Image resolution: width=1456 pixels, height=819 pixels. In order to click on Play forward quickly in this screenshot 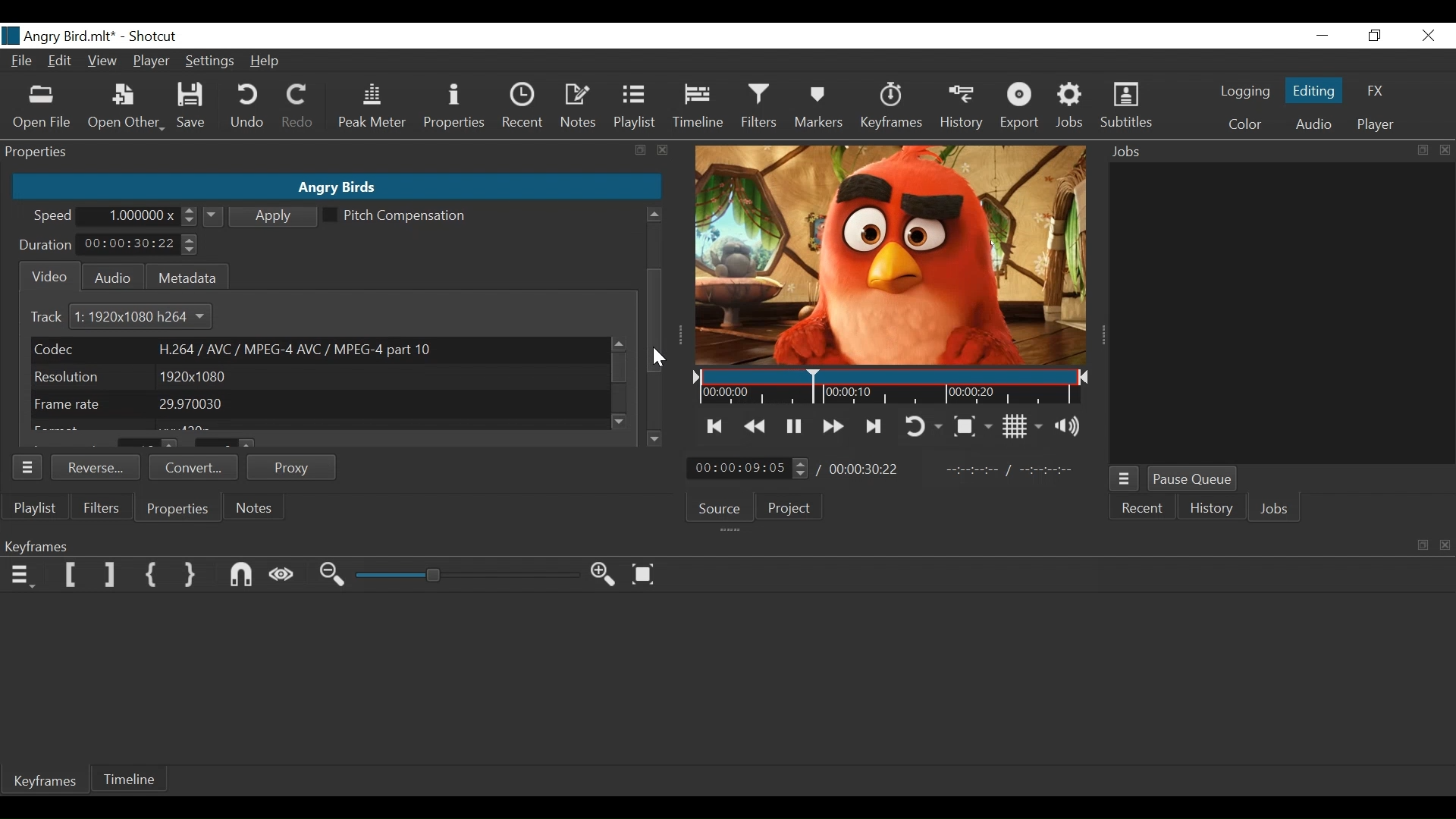, I will do `click(831, 425)`.